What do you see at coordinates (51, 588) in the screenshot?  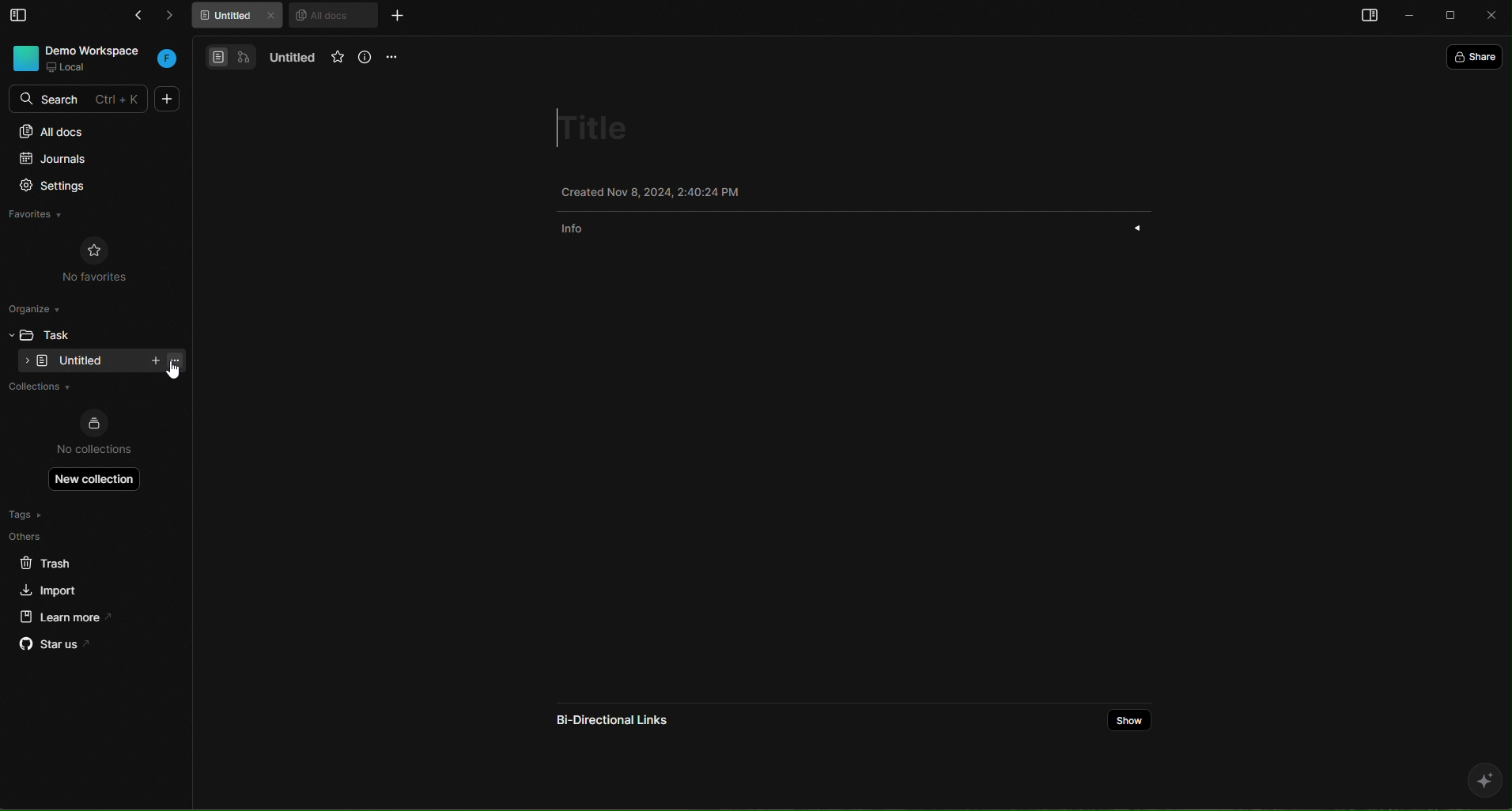 I see `import` at bounding box center [51, 588].